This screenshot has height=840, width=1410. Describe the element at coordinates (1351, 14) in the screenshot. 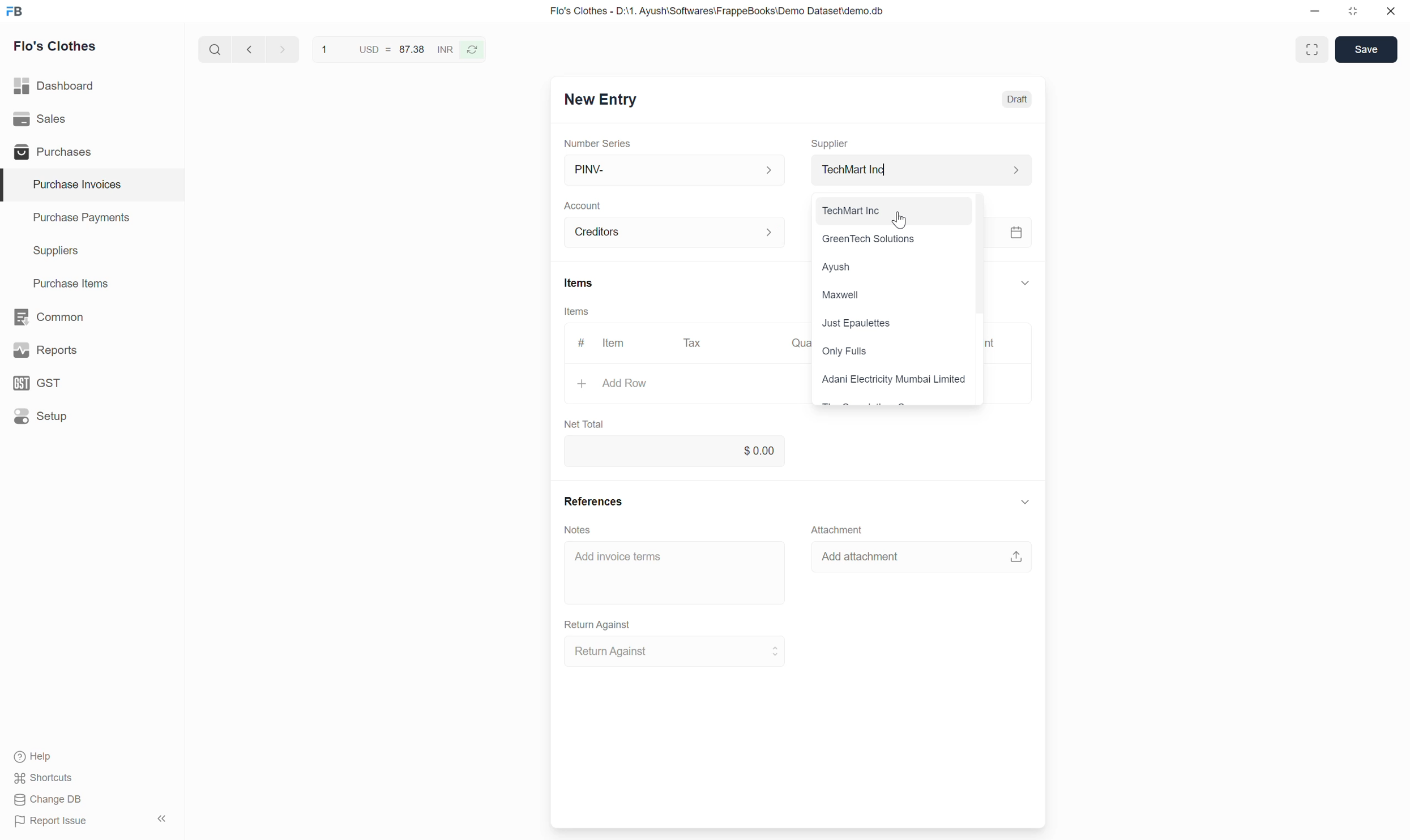

I see `restore down` at that location.